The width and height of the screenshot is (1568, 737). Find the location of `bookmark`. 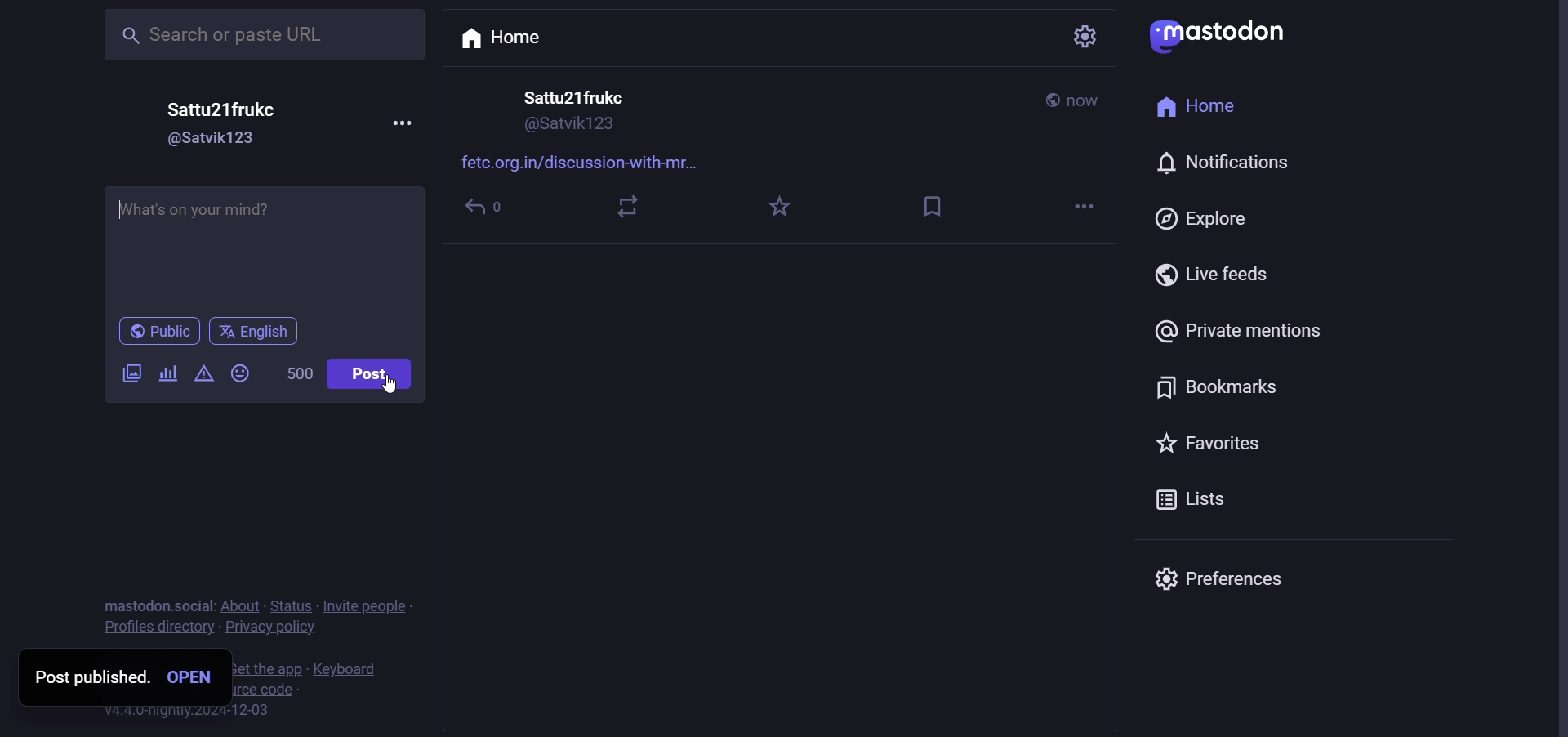

bookmark is located at coordinates (943, 199).